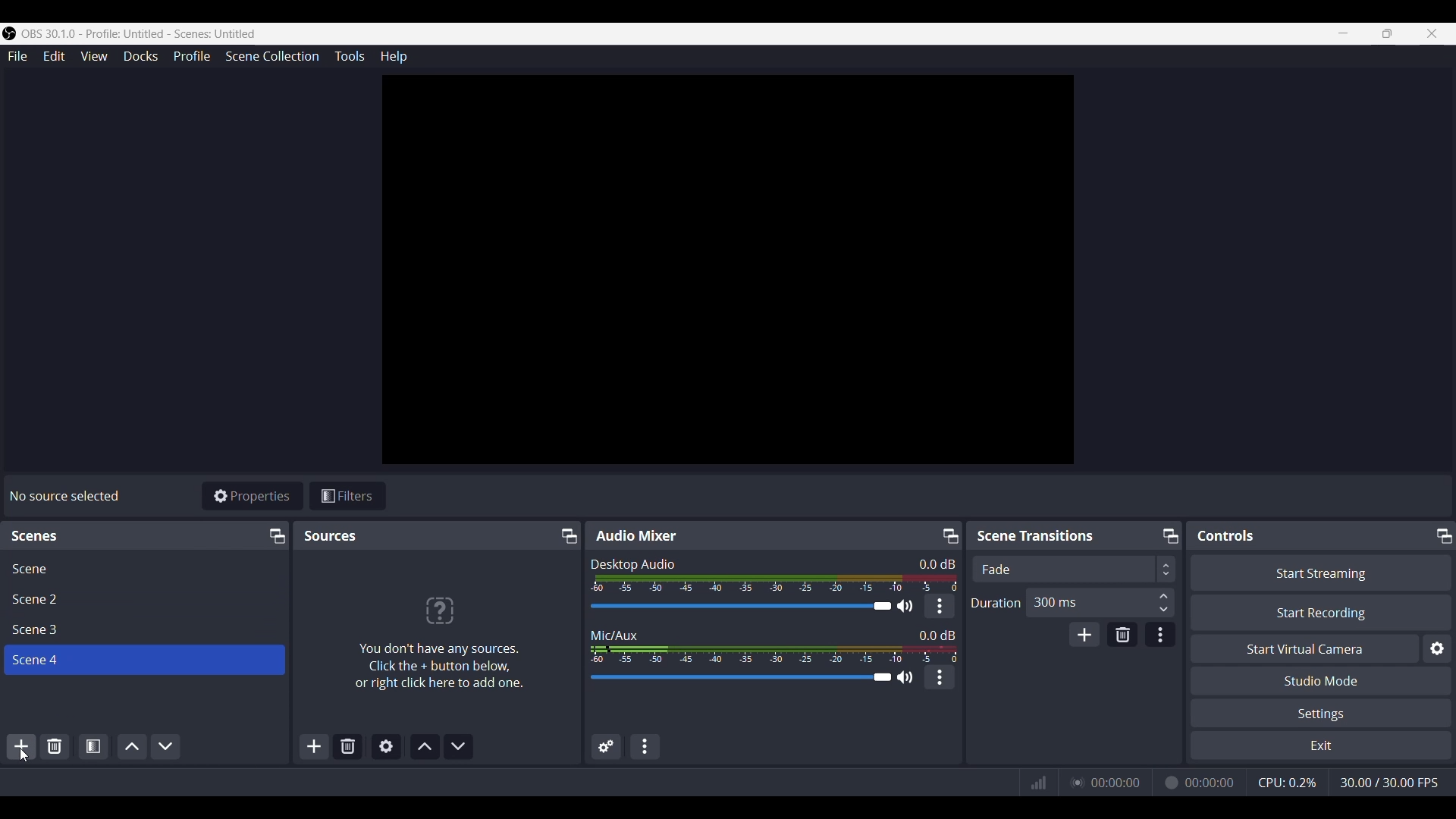 This screenshot has width=1456, height=819. I want to click on Remove selected scene, so click(55, 746).